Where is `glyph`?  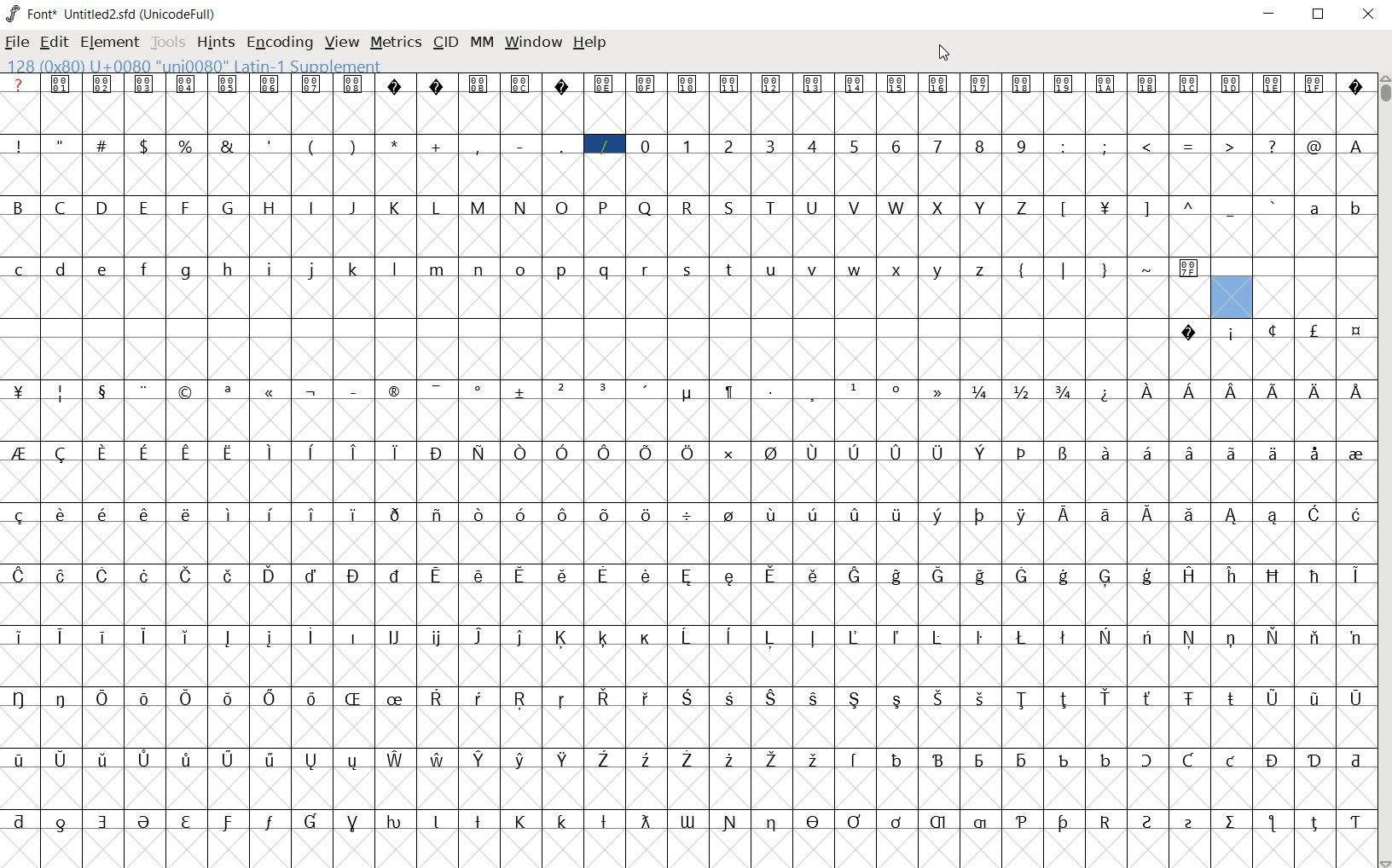
glyph is located at coordinates (270, 145).